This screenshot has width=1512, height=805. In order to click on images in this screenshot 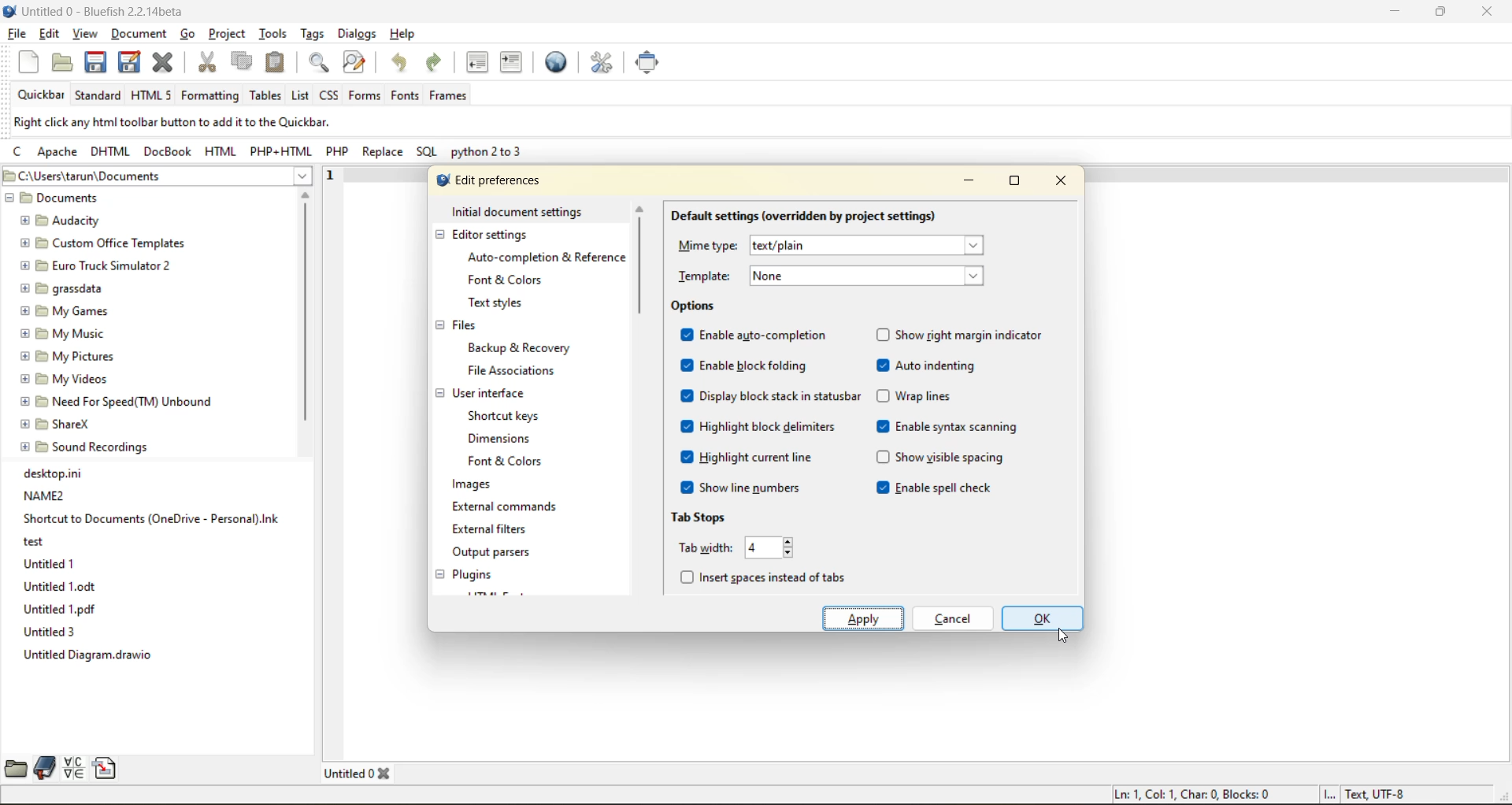, I will do `click(472, 486)`.